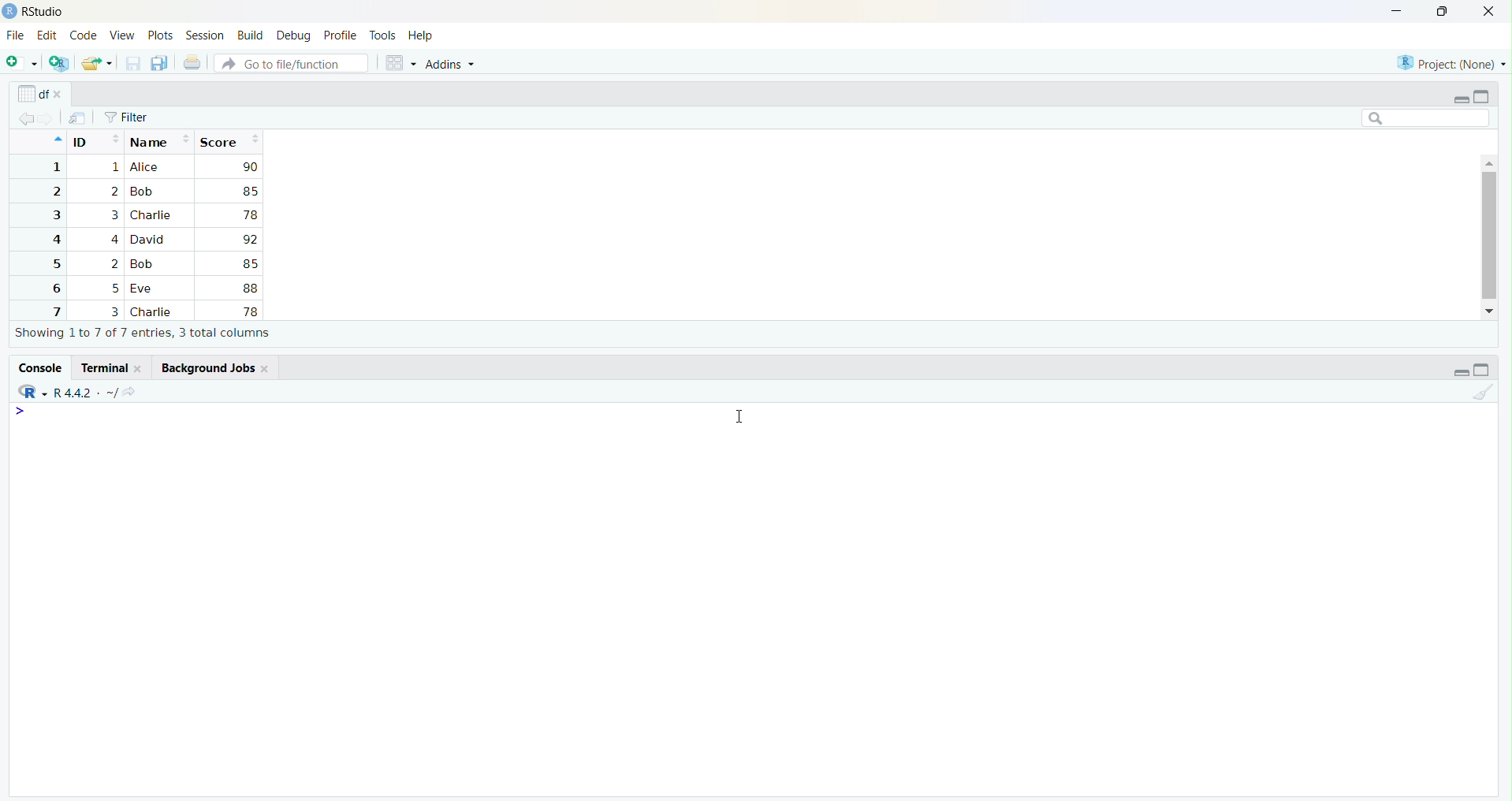 The width and height of the screenshot is (1512, 801). What do you see at coordinates (1460, 372) in the screenshot?
I see `minimize` at bounding box center [1460, 372].